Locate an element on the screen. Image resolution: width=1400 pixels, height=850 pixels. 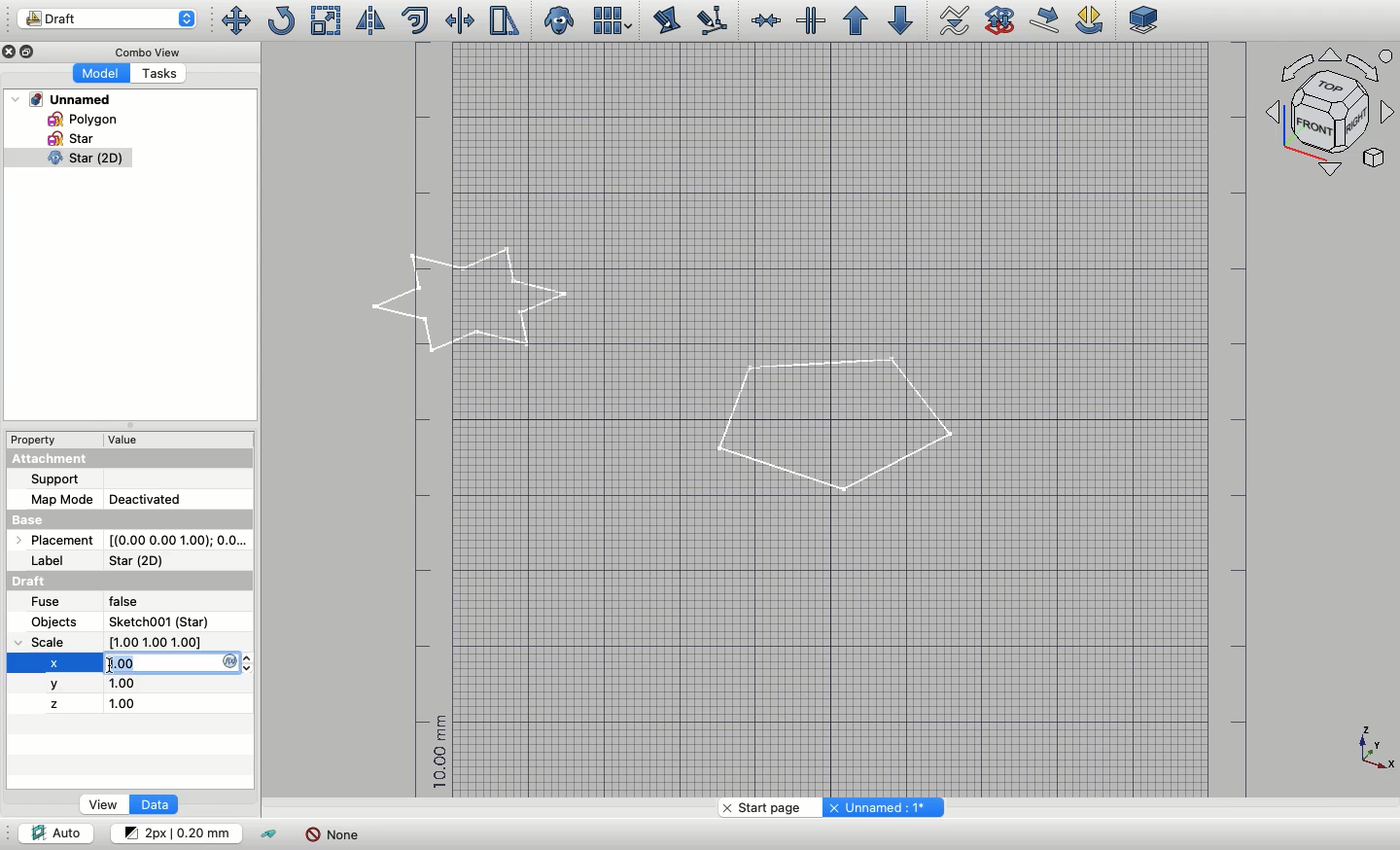
Polygon is located at coordinates (79, 119).